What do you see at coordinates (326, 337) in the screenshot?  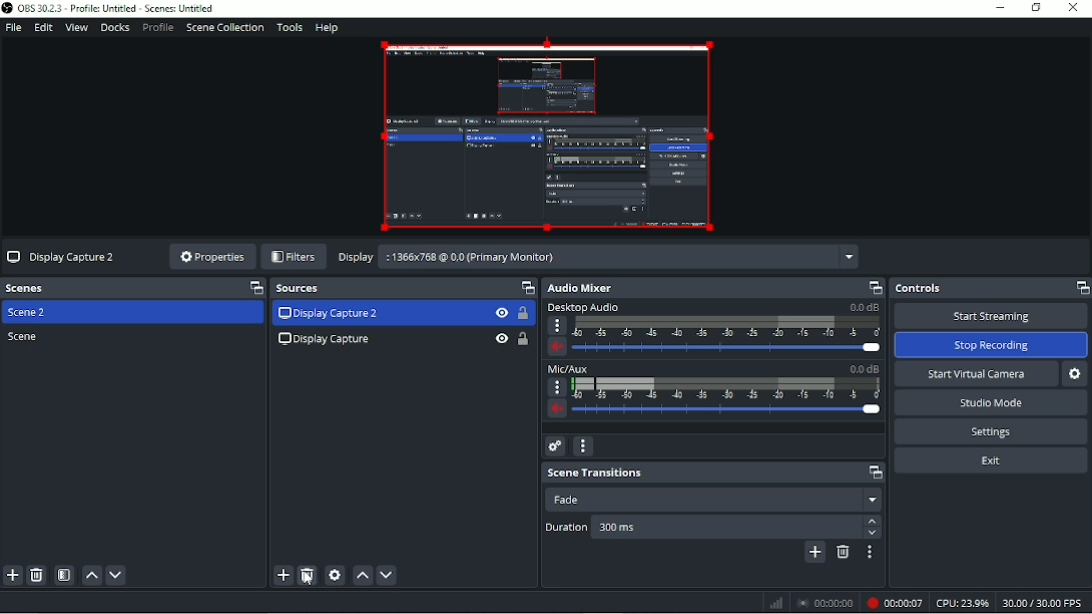 I see `Display Capture` at bounding box center [326, 337].